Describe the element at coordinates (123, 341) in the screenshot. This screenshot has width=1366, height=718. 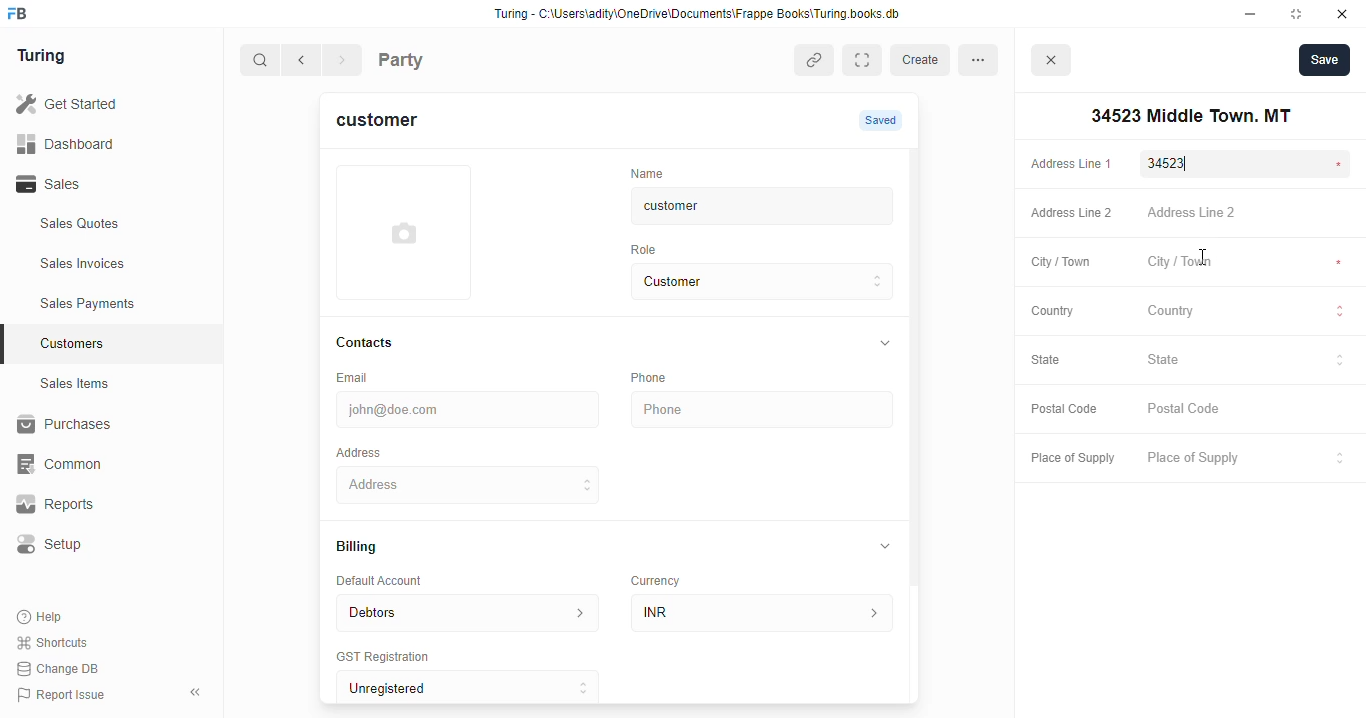
I see `Customers` at that location.